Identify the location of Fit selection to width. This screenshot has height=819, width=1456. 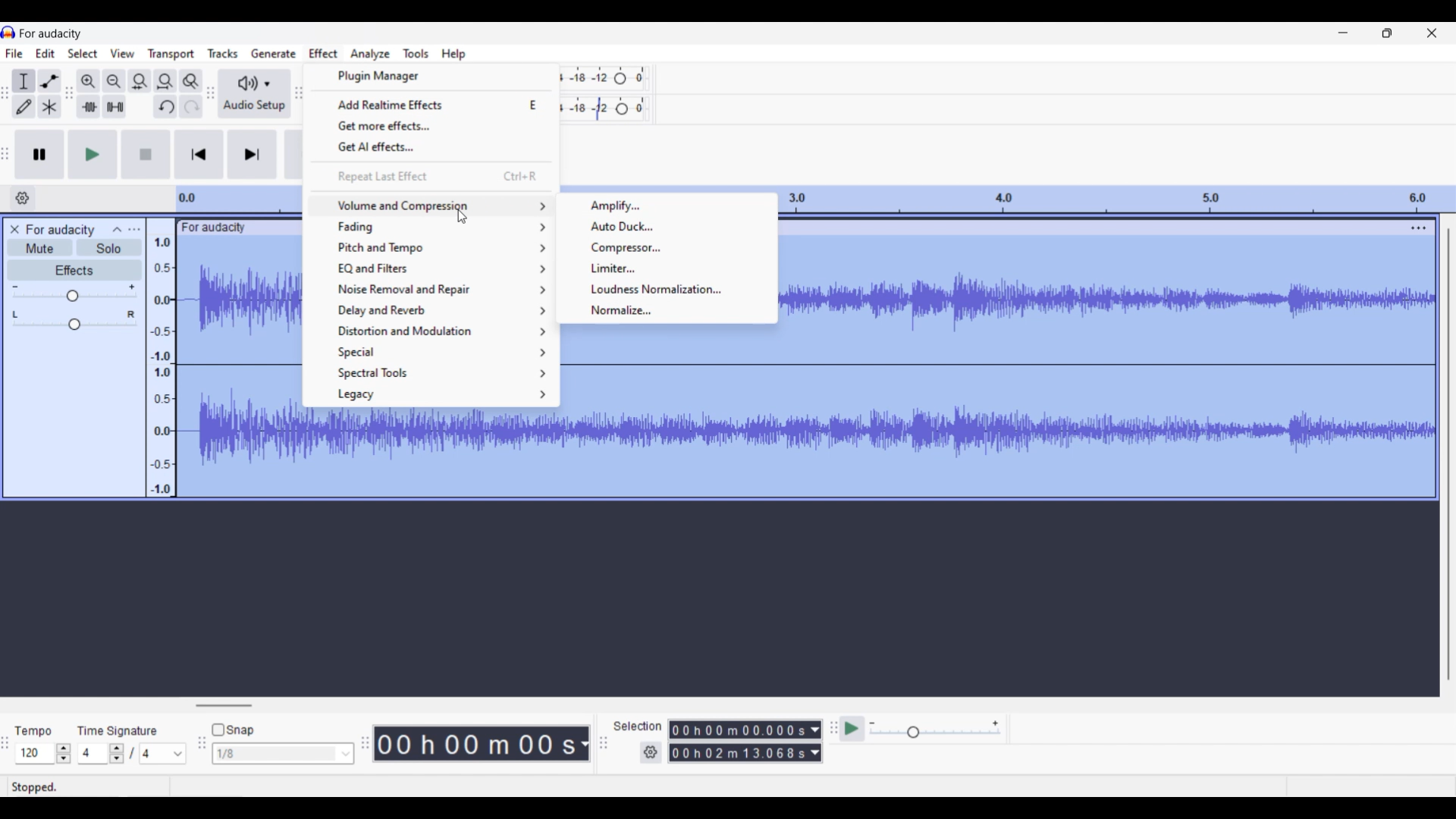
(140, 81).